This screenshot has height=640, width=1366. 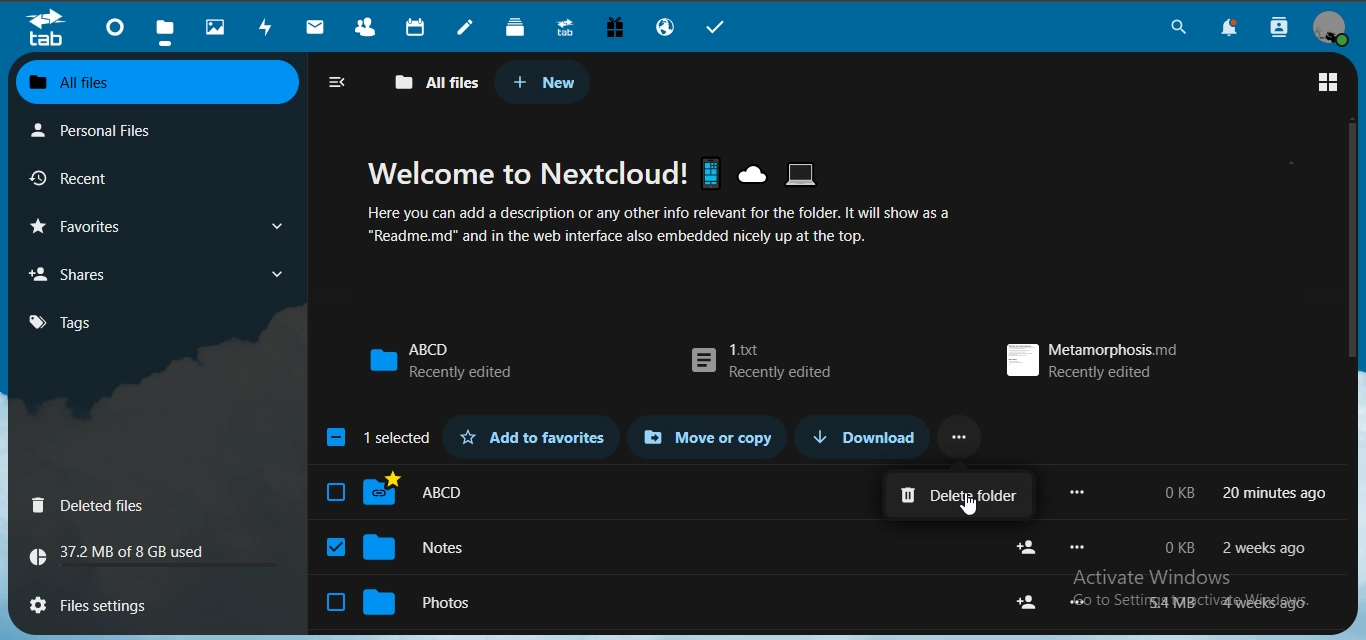 I want to click on photos, so click(x=464, y=599).